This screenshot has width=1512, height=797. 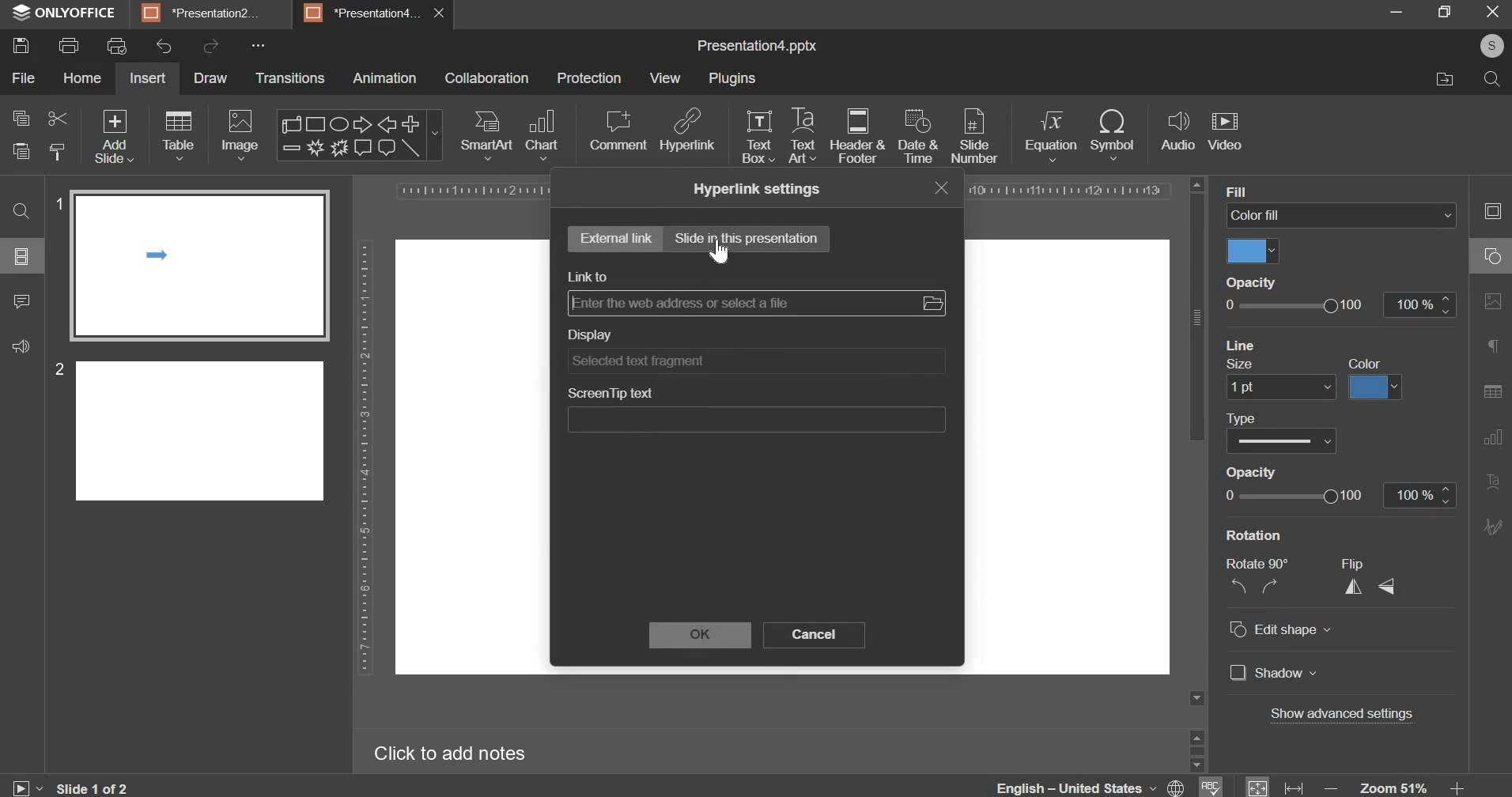 What do you see at coordinates (21, 204) in the screenshot?
I see `search` at bounding box center [21, 204].